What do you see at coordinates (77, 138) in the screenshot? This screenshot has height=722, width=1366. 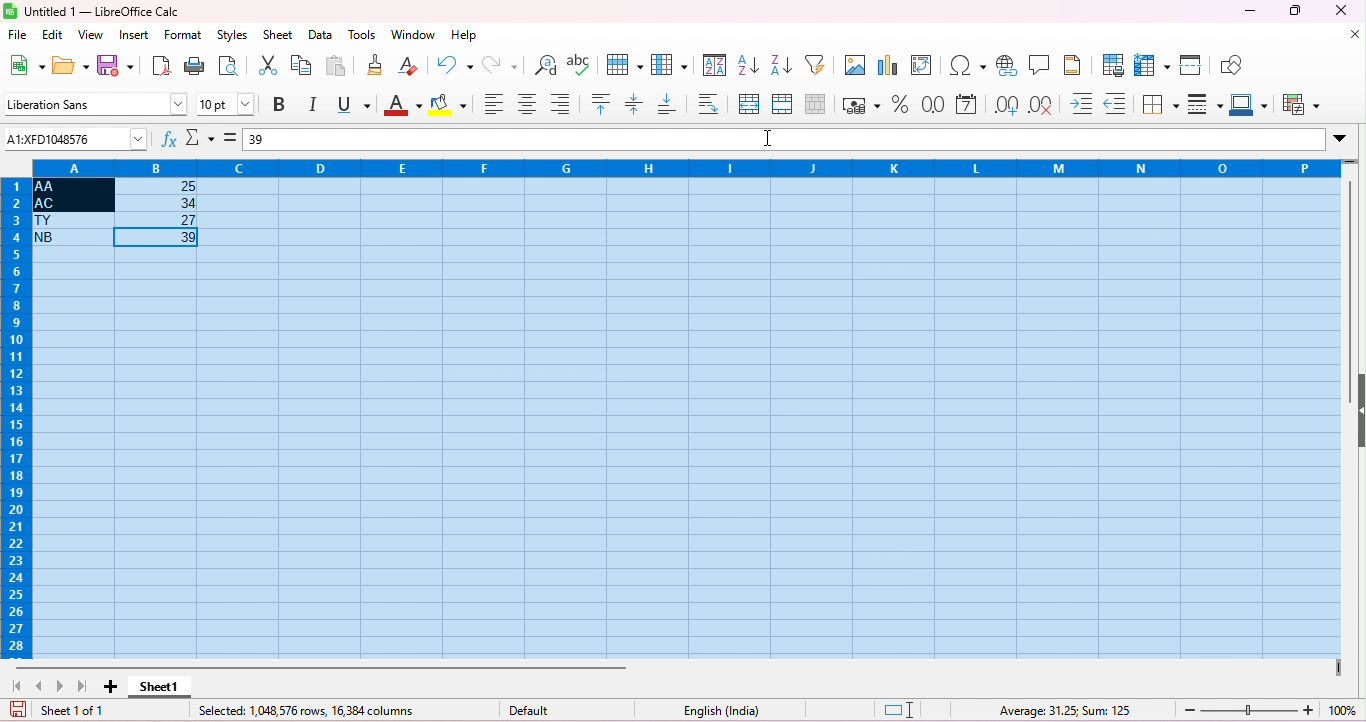 I see `selected cell number` at bounding box center [77, 138].